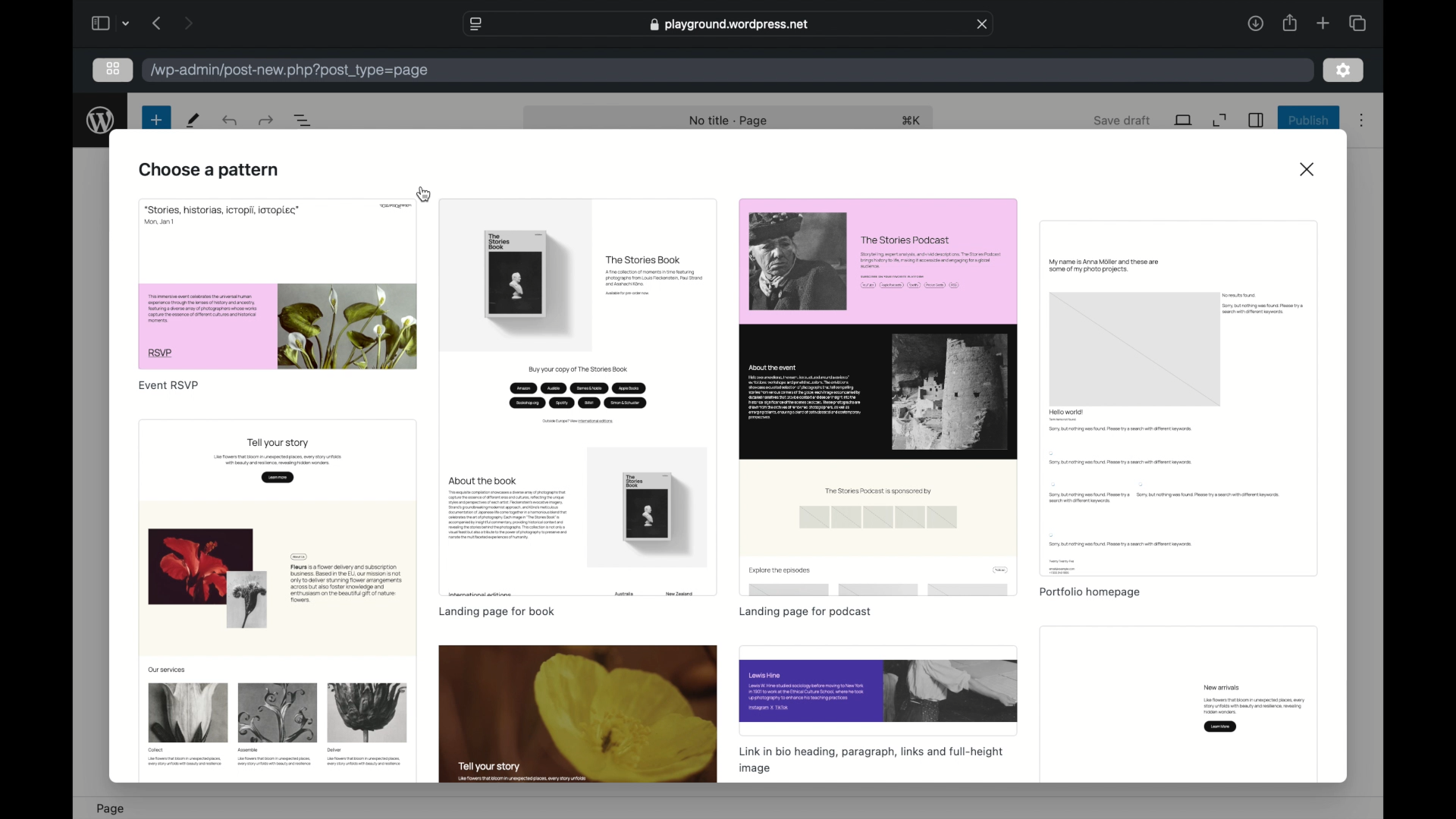  Describe the element at coordinates (1183, 119) in the screenshot. I see `view` at that location.